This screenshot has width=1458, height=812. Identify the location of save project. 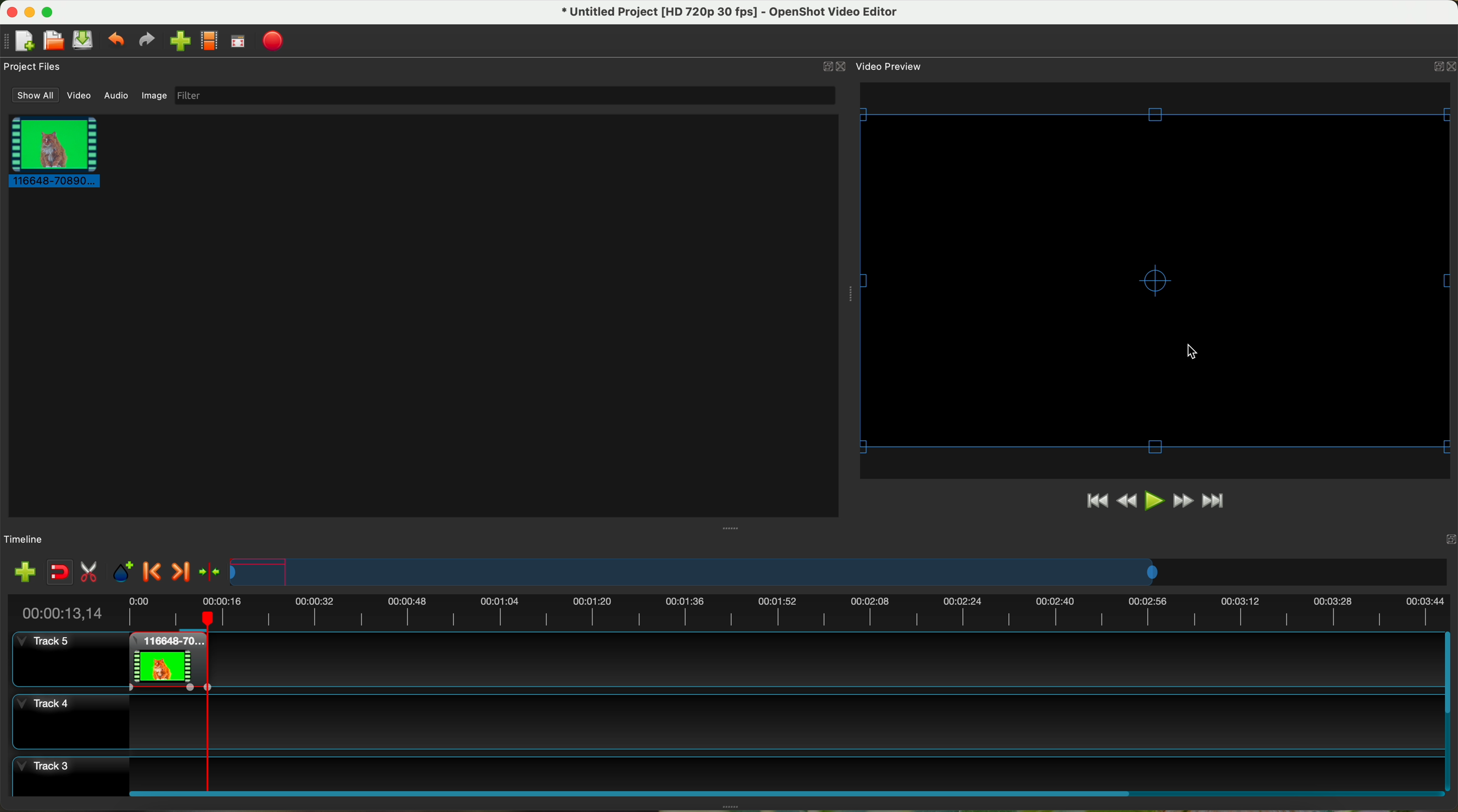
(84, 40).